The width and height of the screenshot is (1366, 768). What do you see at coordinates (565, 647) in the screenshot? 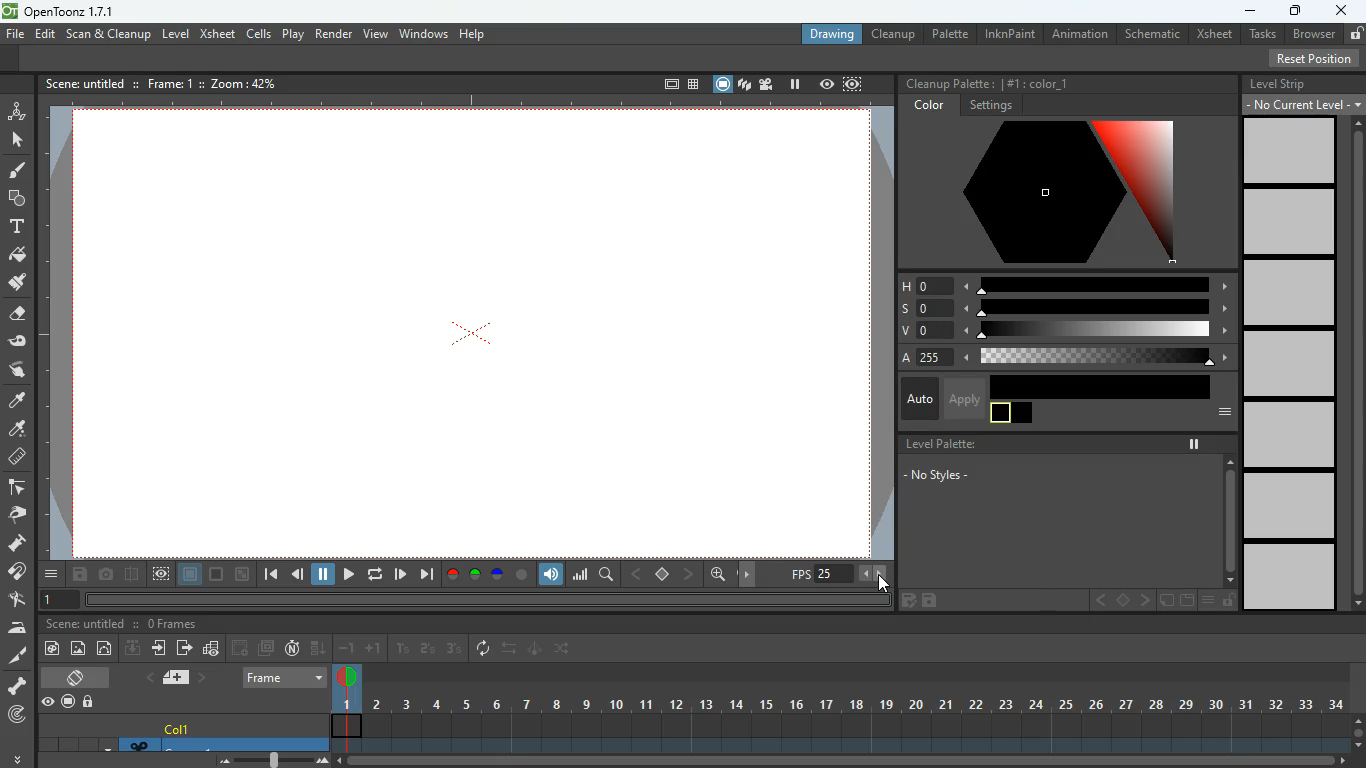
I see `switch` at bounding box center [565, 647].